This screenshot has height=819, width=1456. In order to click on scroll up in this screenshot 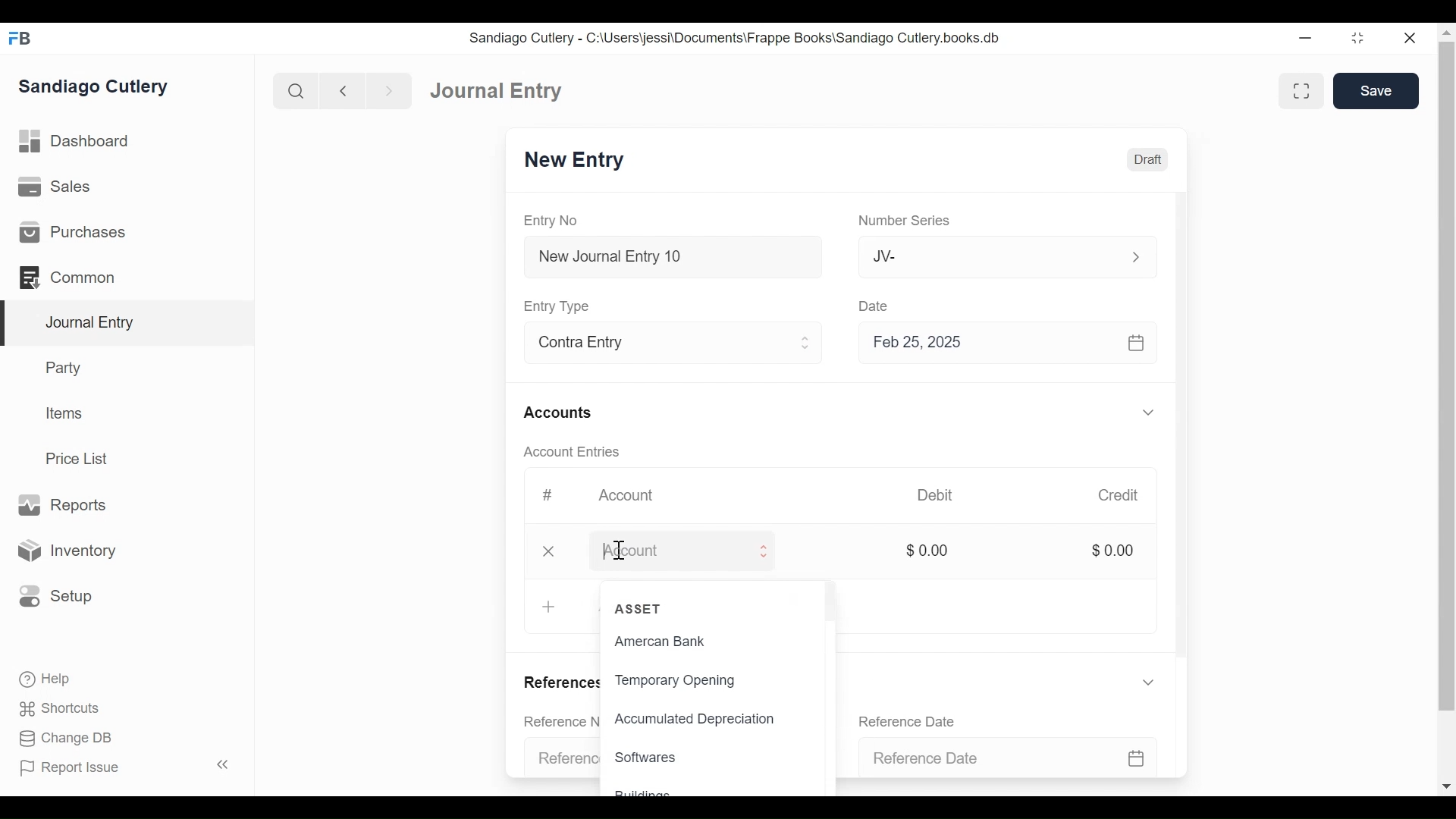, I will do `click(1446, 33)`.